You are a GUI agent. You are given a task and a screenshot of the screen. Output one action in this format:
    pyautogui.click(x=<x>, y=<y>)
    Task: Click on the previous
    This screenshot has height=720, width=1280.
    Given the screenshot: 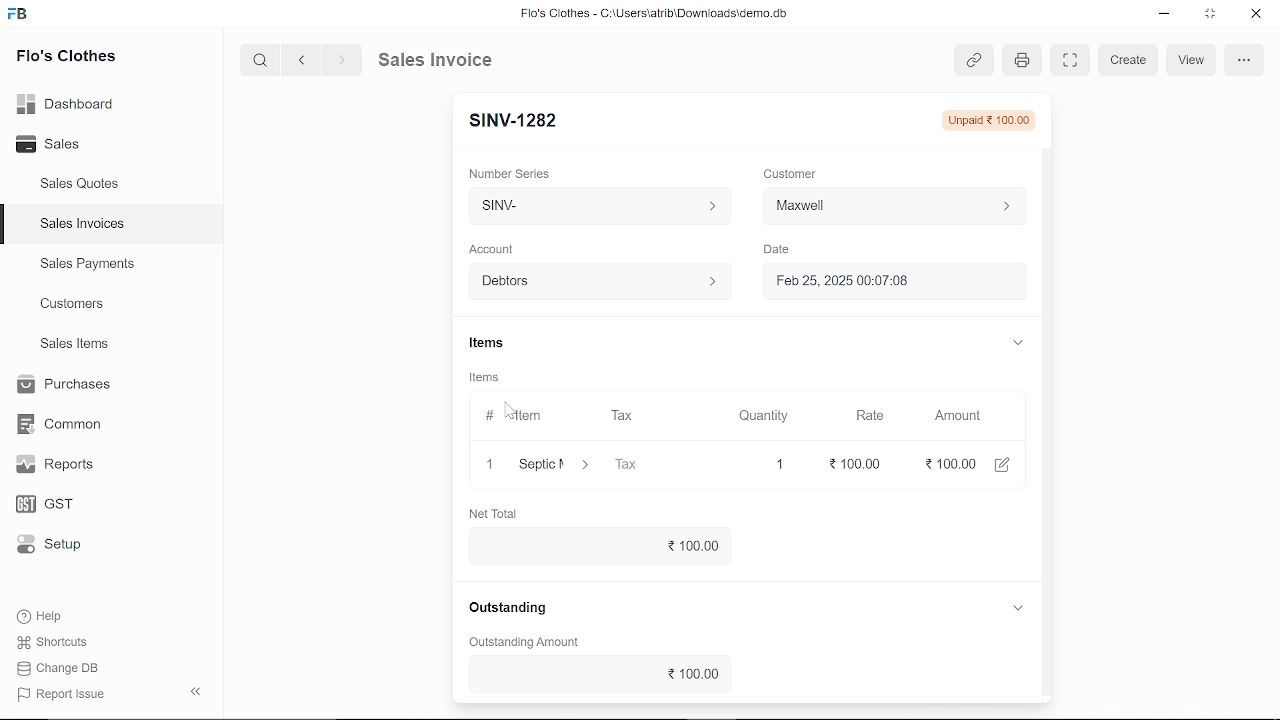 What is the action you would take?
    pyautogui.click(x=303, y=60)
    